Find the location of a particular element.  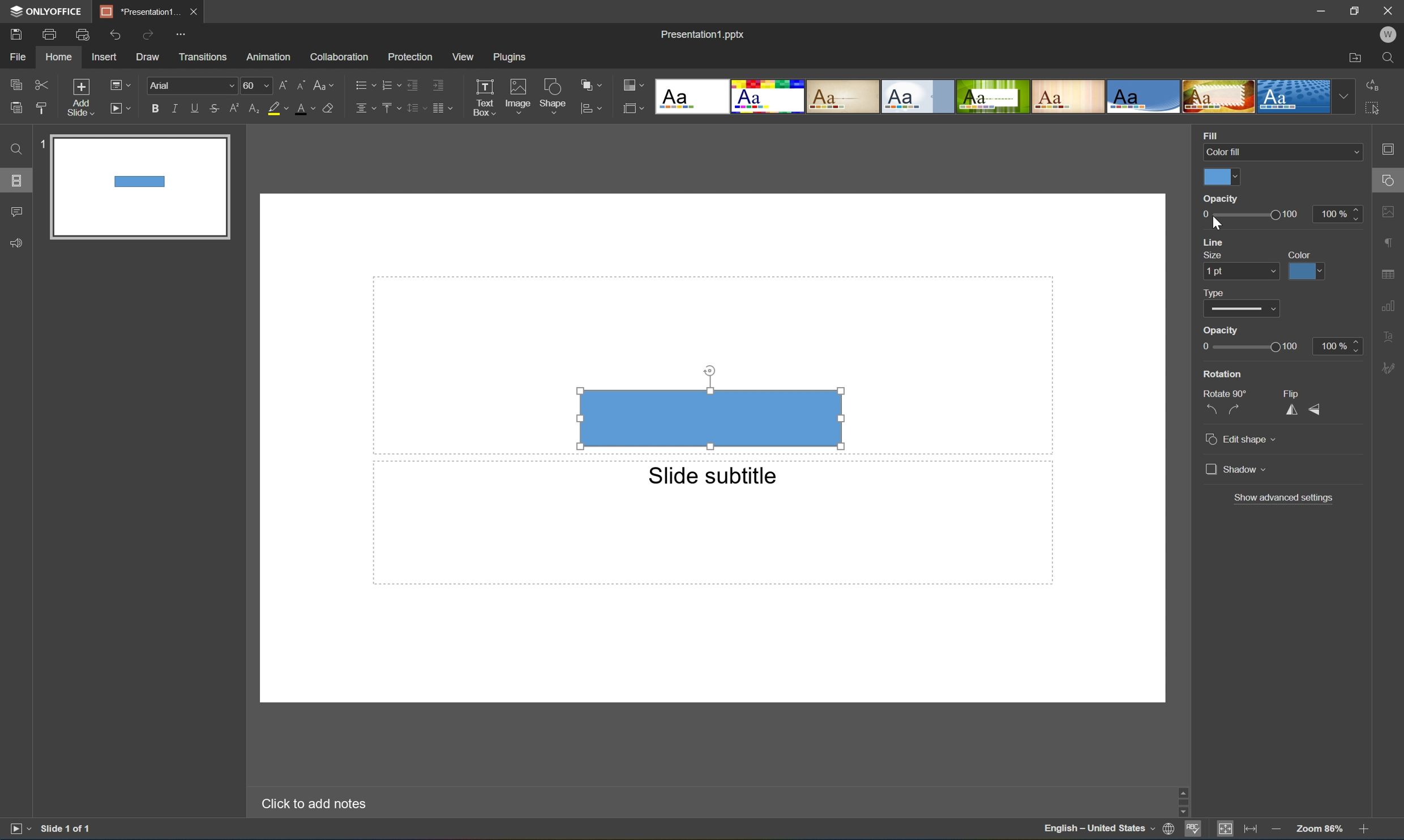

Replace is located at coordinates (1376, 84).